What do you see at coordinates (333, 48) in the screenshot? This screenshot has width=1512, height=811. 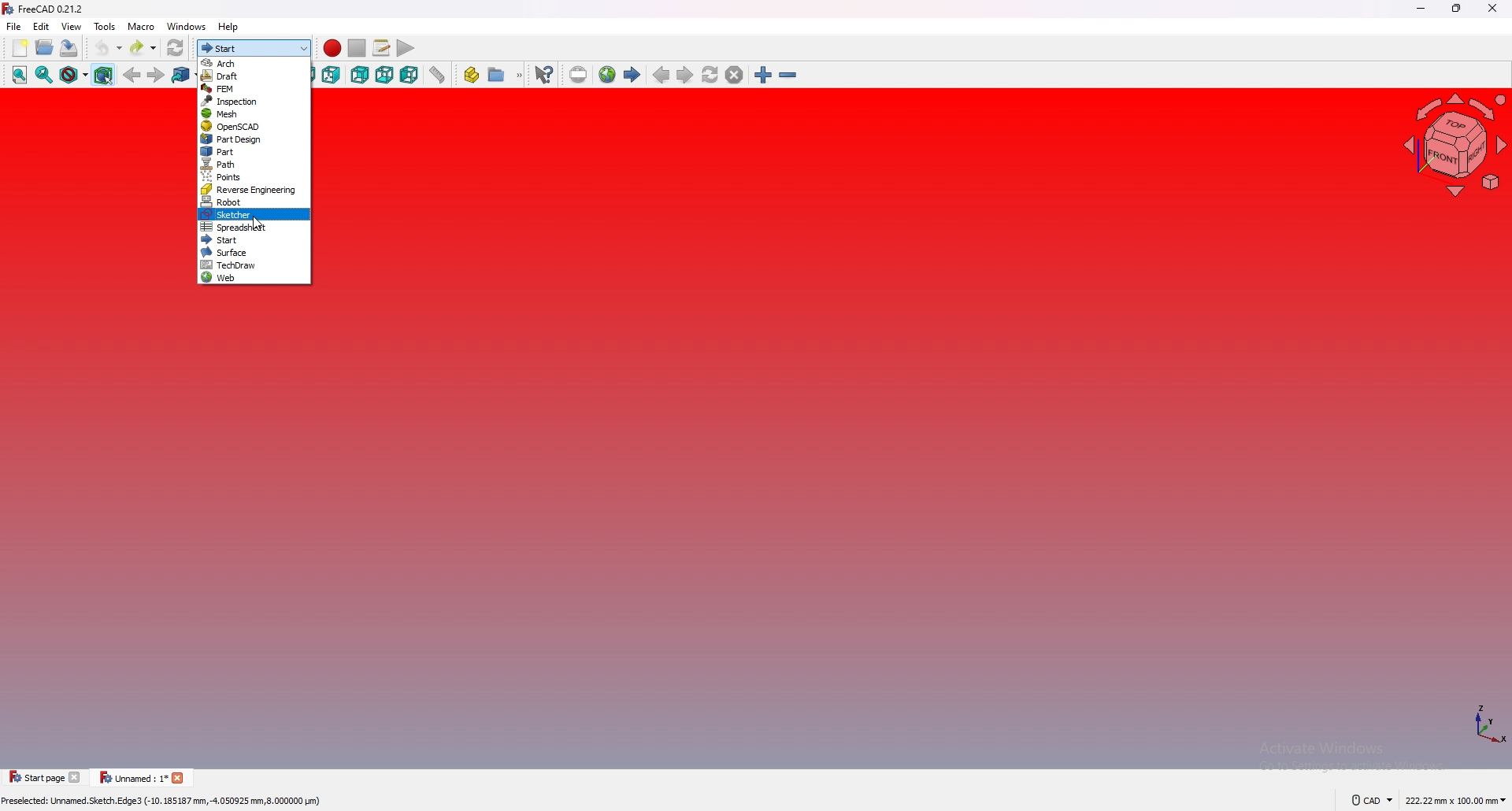 I see `record macro` at bounding box center [333, 48].